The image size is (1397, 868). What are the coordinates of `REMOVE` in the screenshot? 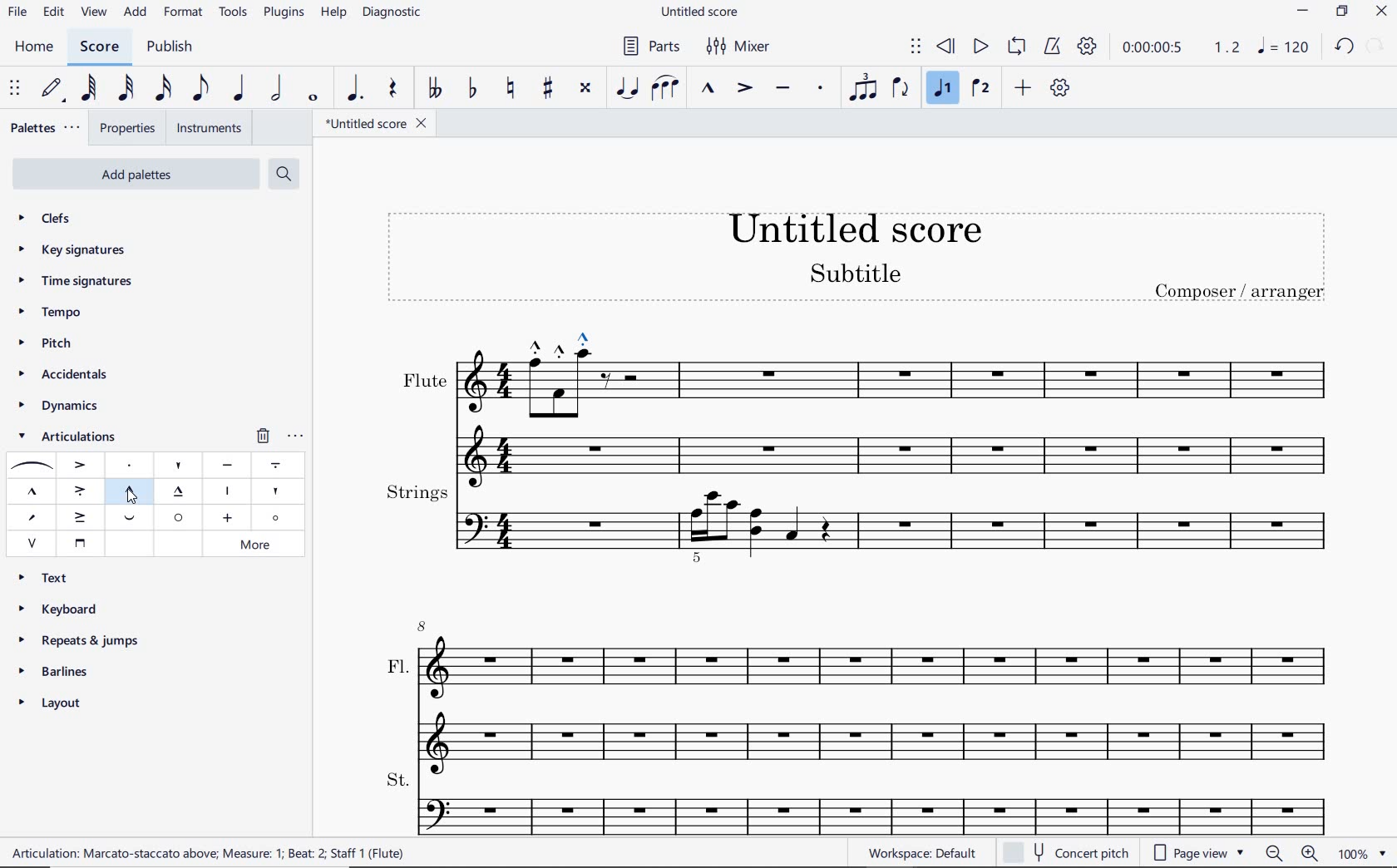 It's located at (262, 435).